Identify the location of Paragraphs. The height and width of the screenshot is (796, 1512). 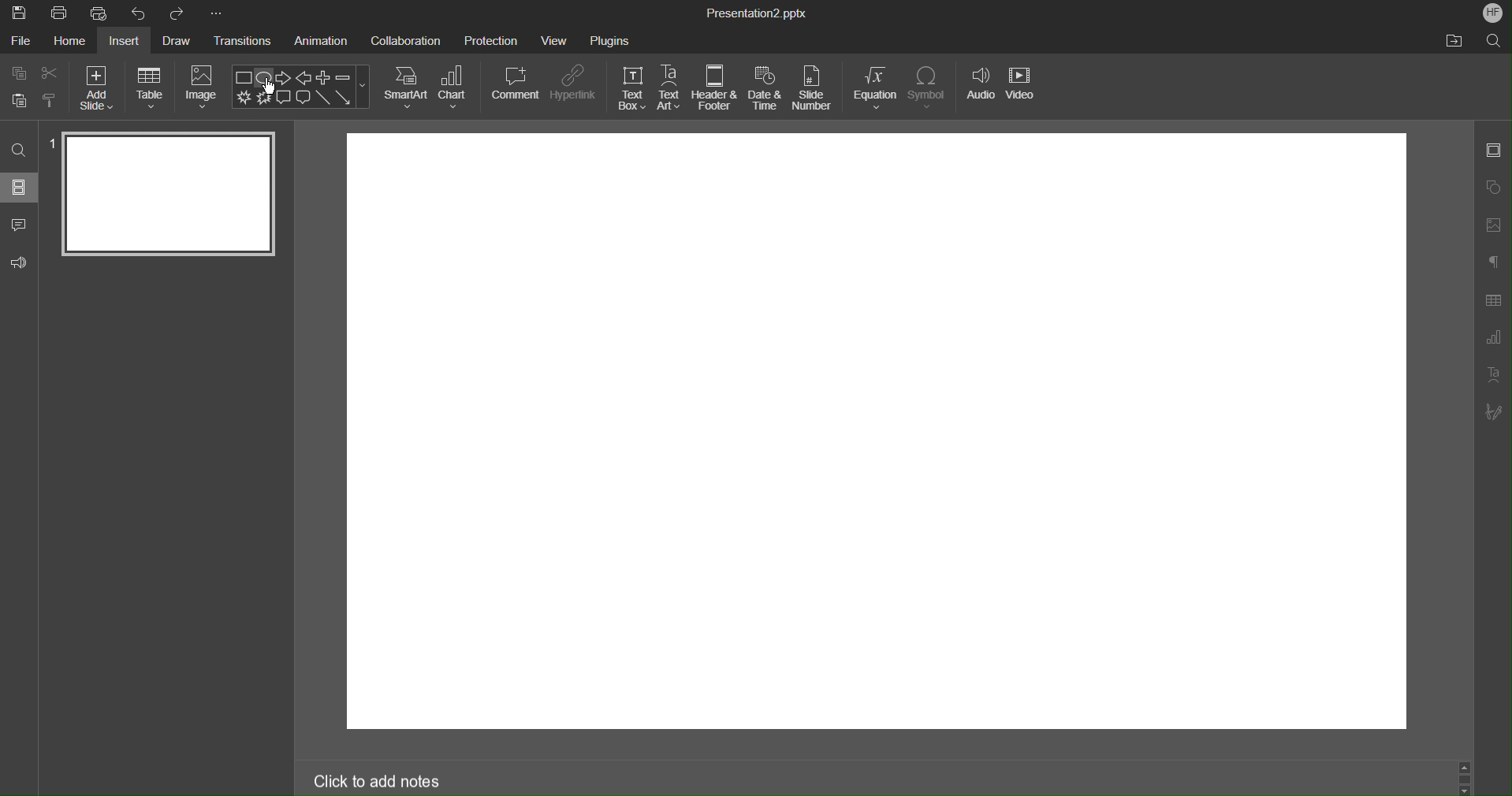
(1494, 261).